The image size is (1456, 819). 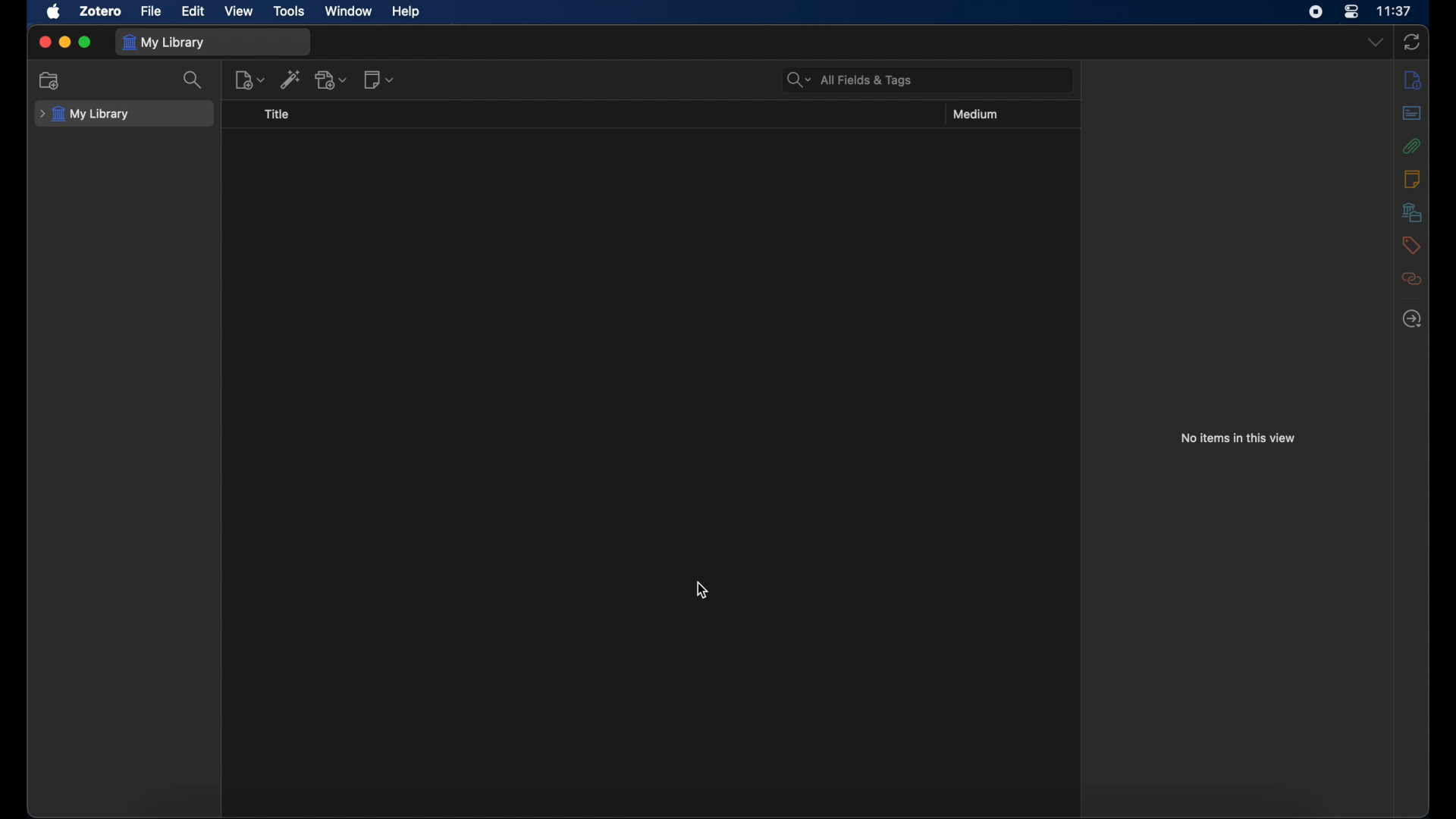 I want to click on new collection, so click(x=52, y=80).